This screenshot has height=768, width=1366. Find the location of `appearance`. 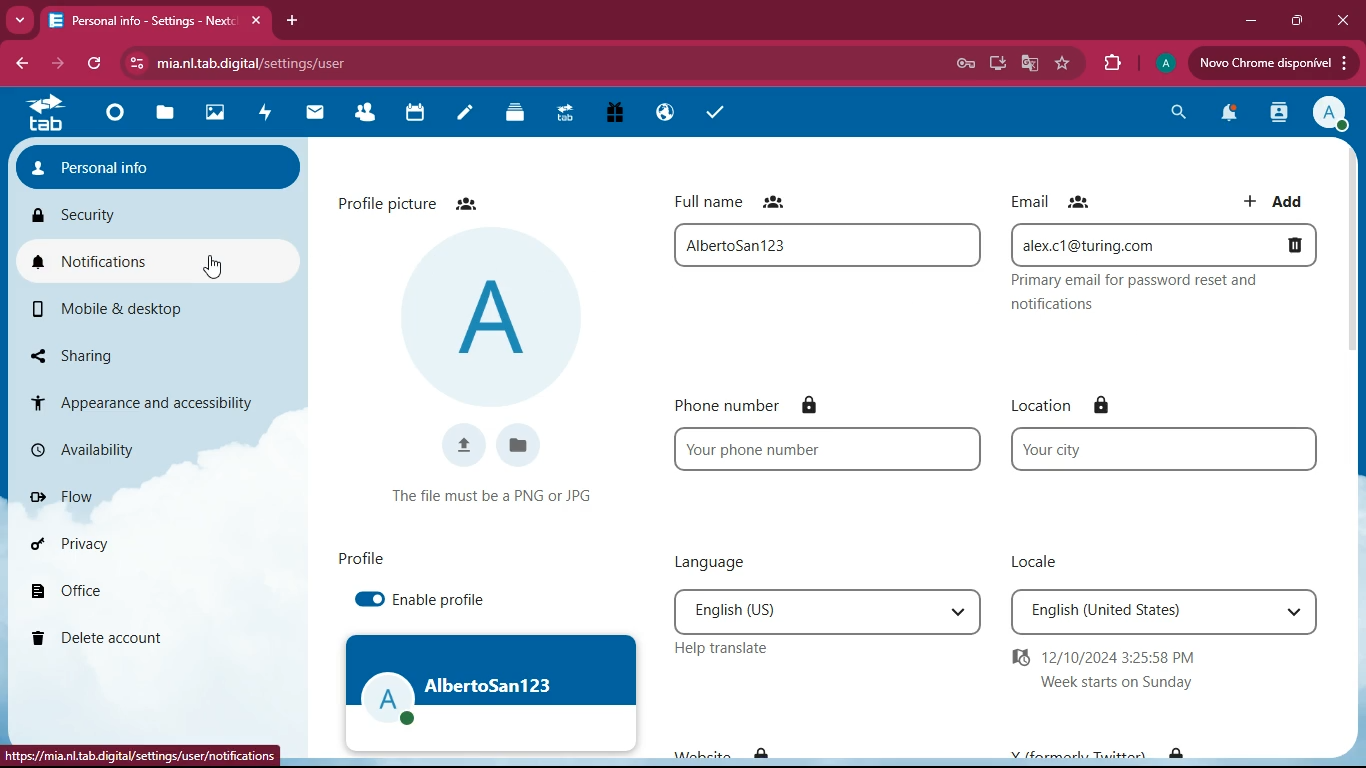

appearance is located at coordinates (152, 398).